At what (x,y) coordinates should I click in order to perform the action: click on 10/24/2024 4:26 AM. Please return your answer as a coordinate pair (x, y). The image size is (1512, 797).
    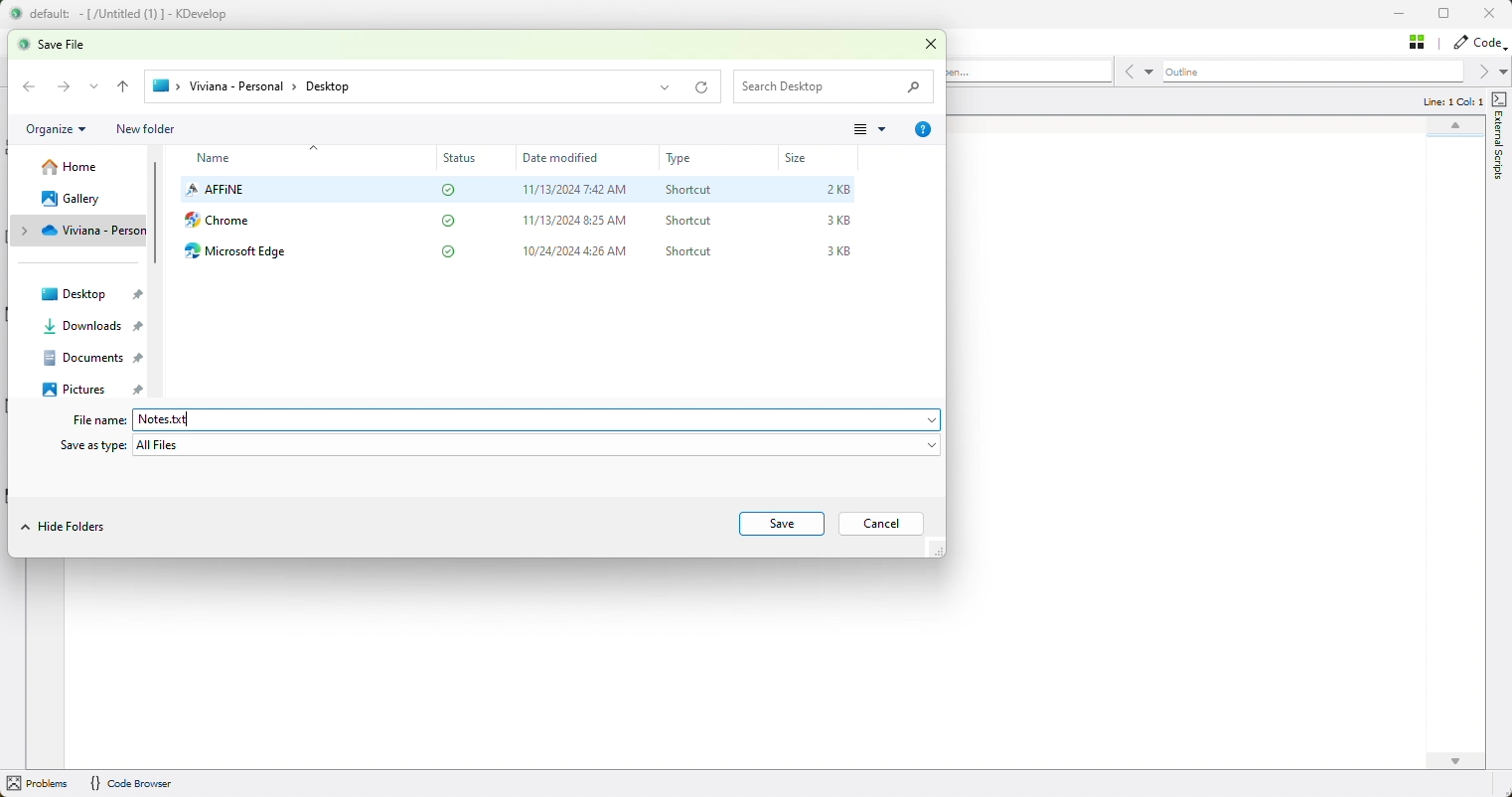
    Looking at the image, I should click on (579, 250).